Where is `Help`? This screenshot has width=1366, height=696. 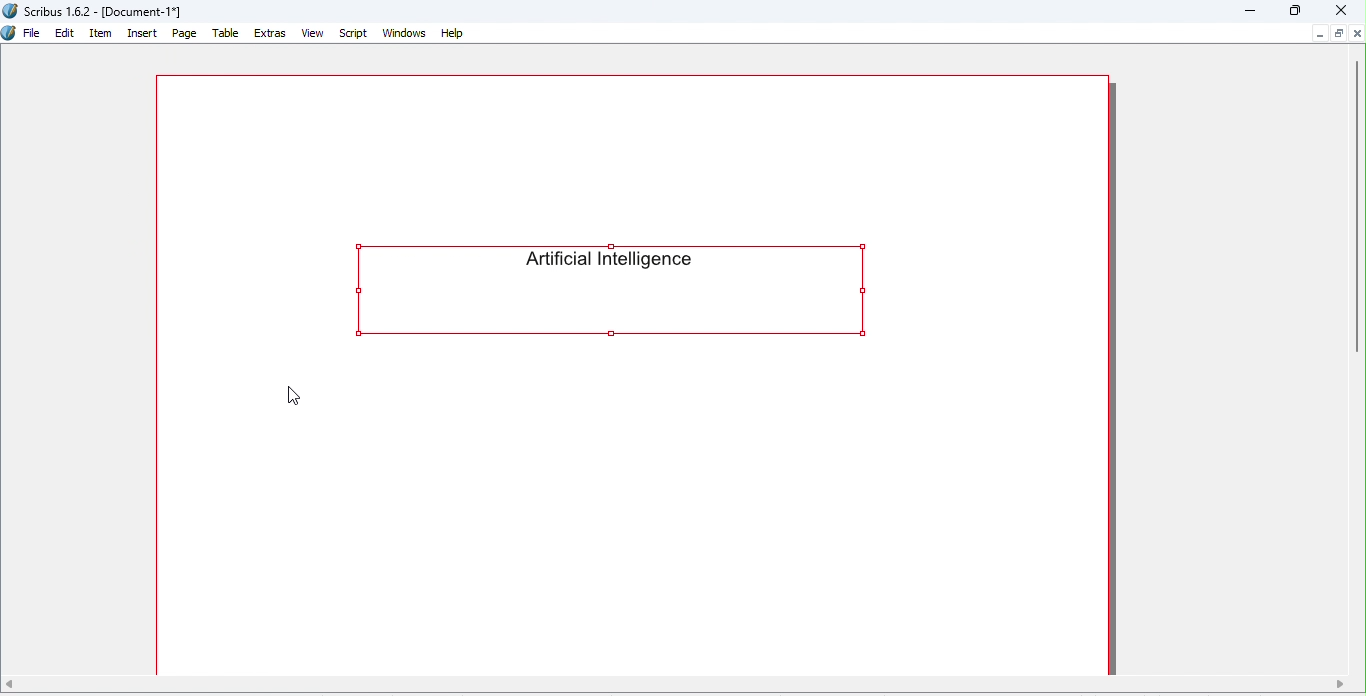 Help is located at coordinates (452, 32).